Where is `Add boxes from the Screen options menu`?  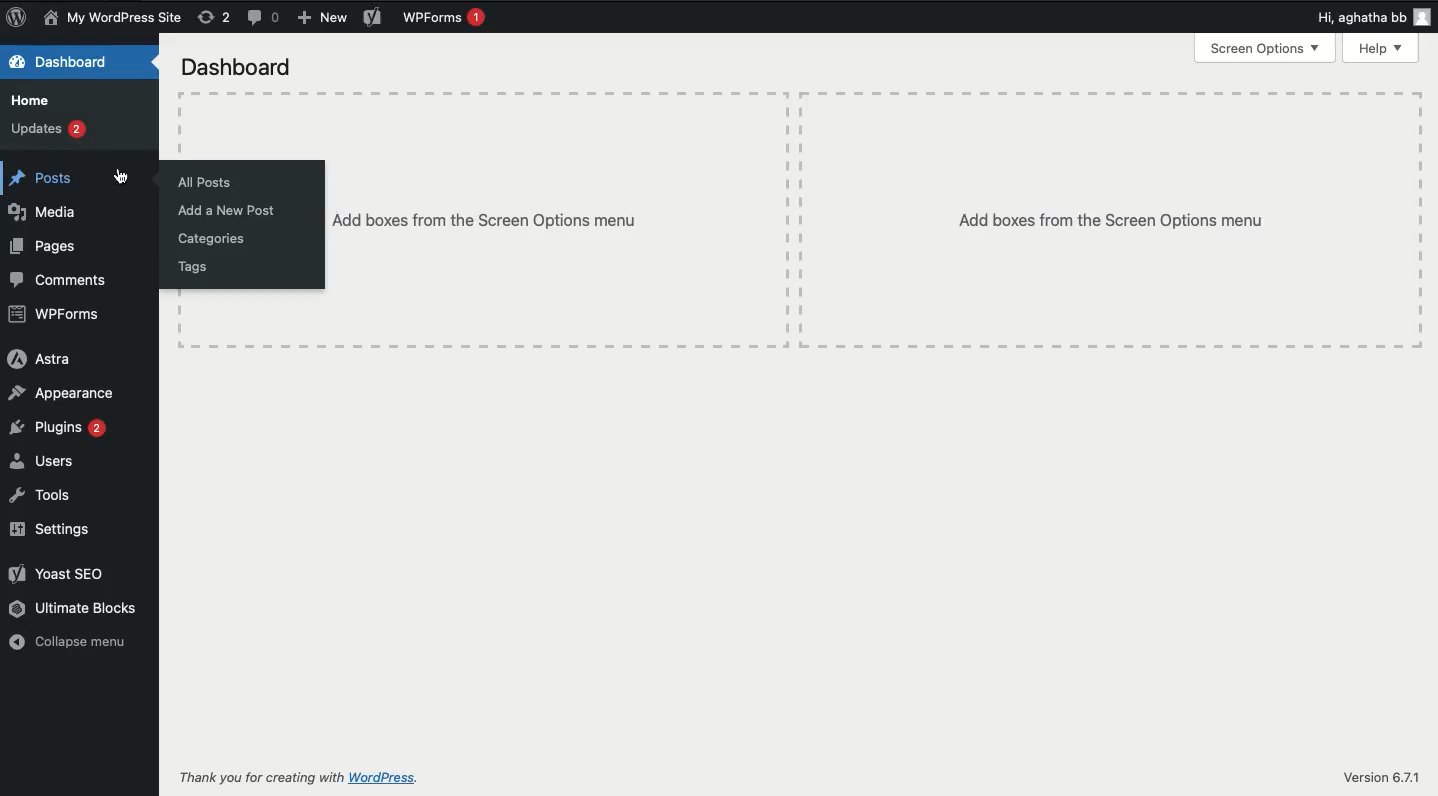 Add boxes from the Screen options menu is located at coordinates (487, 219).